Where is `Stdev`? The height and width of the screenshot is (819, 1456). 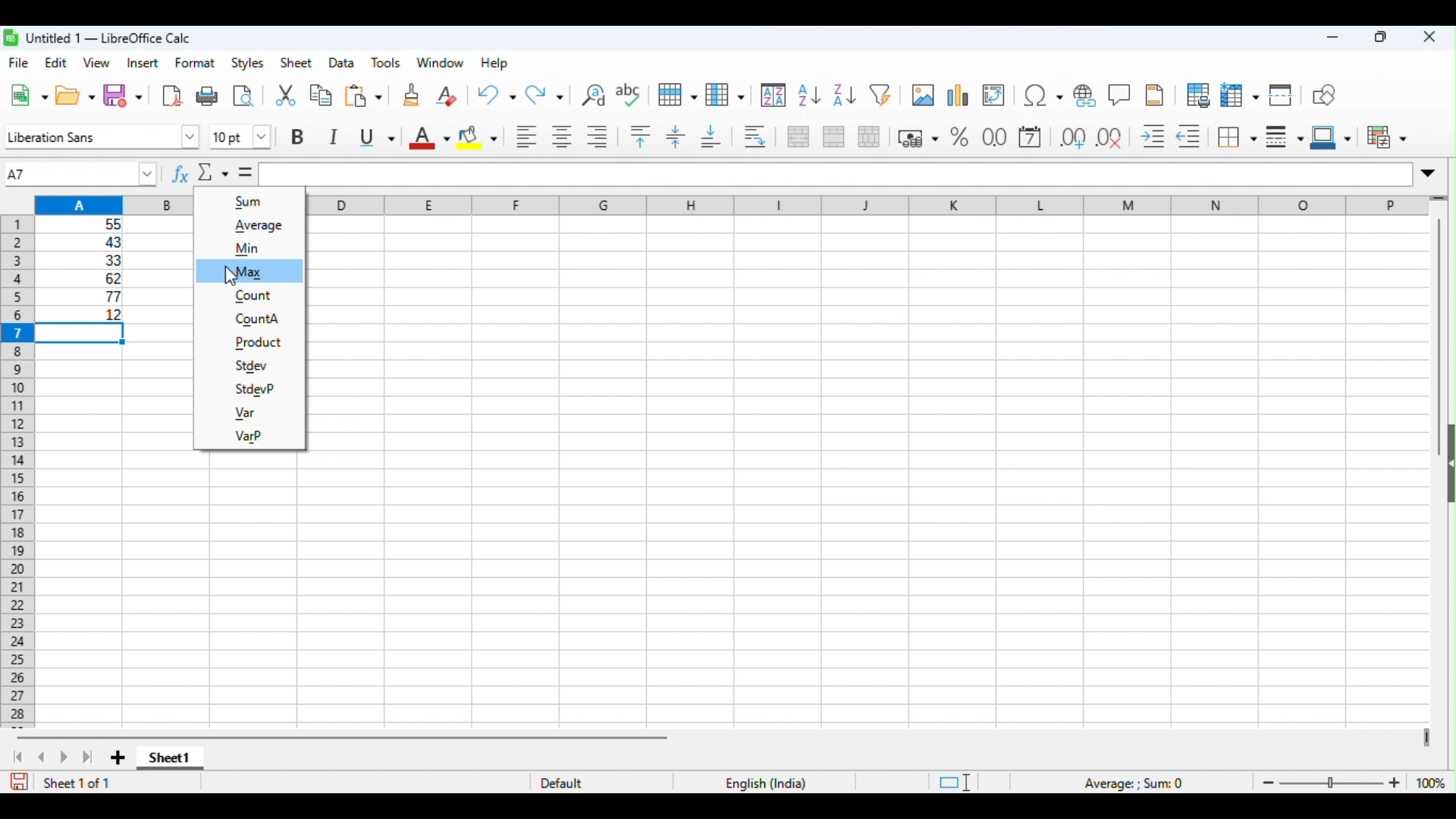
Stdev is located at coordinates (253, 365).